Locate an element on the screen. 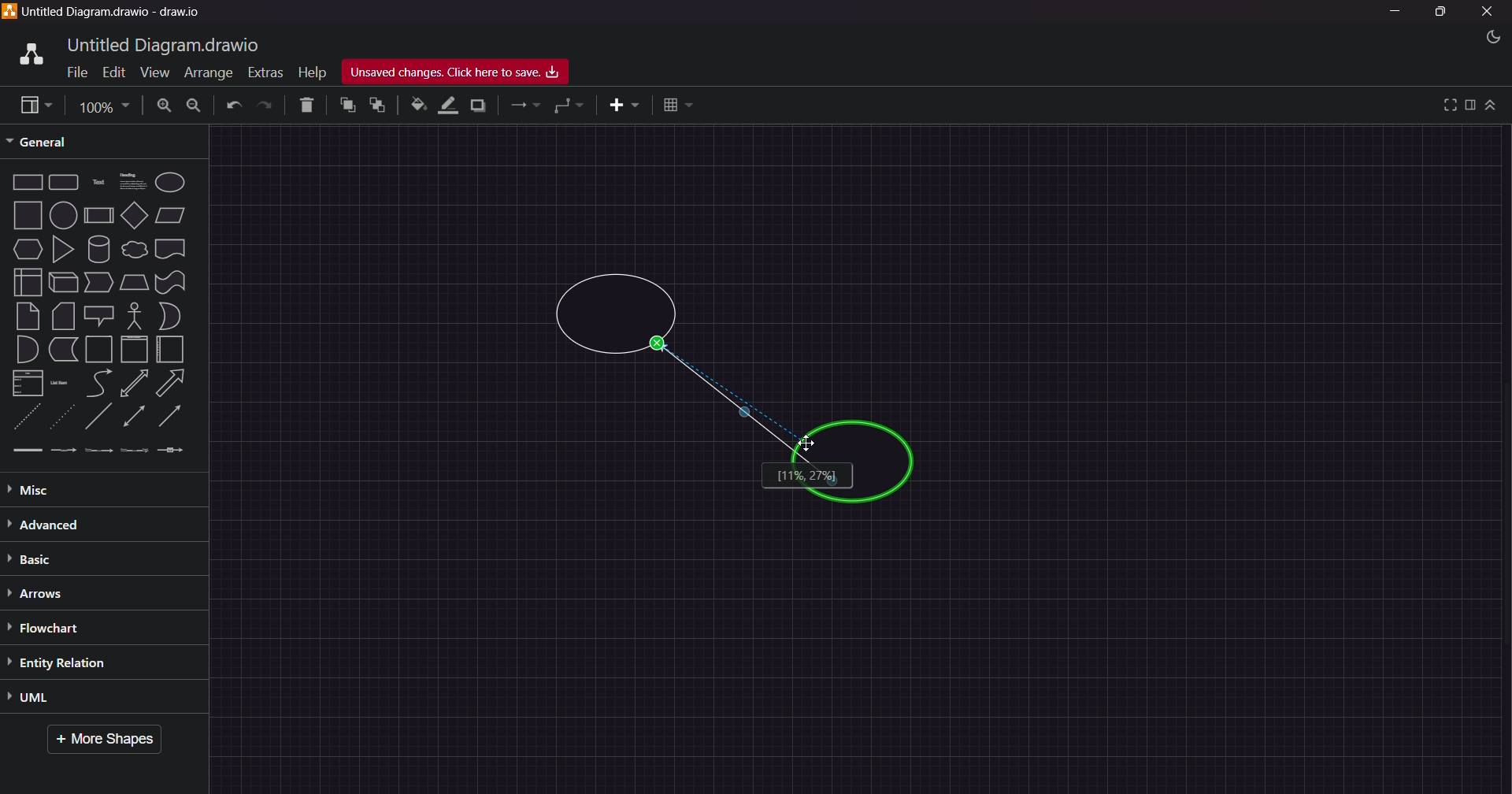 The height and width of the screenshot is (794, 1512). view is located at coordinates (31, 105).